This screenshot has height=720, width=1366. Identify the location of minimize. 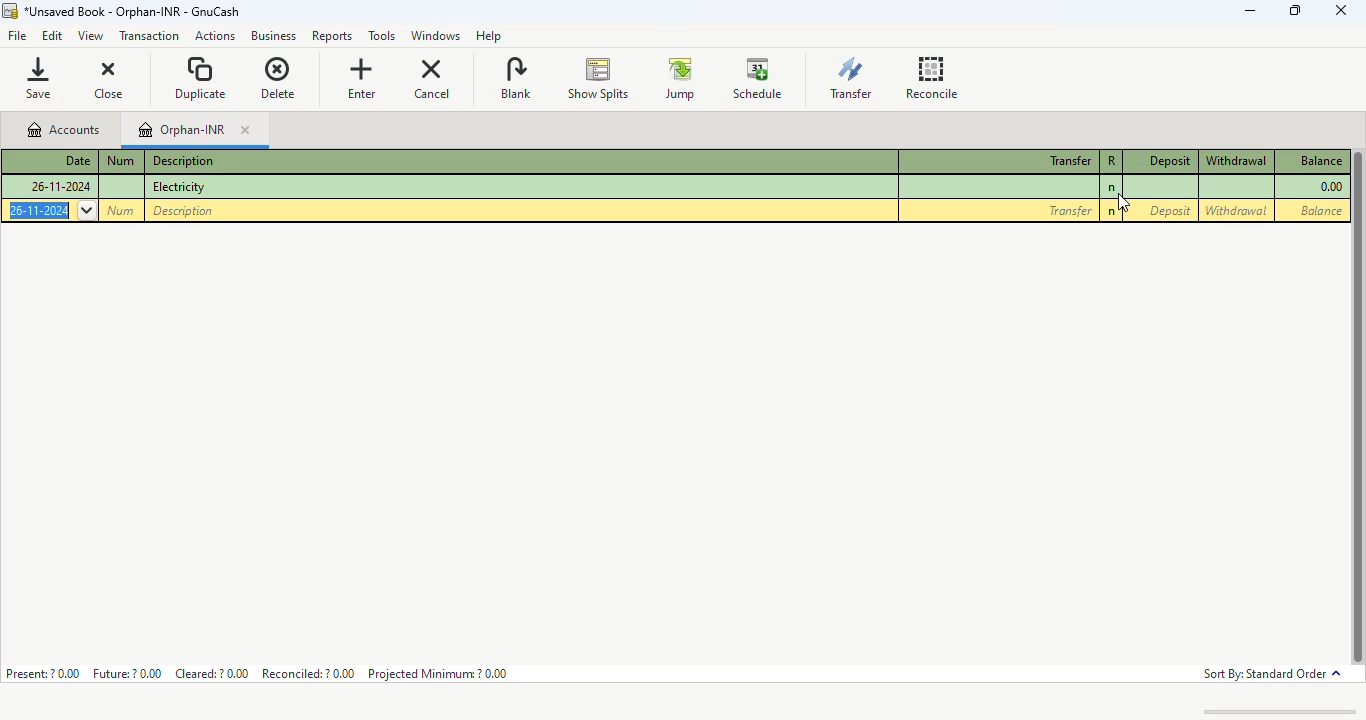
(1251, 11).